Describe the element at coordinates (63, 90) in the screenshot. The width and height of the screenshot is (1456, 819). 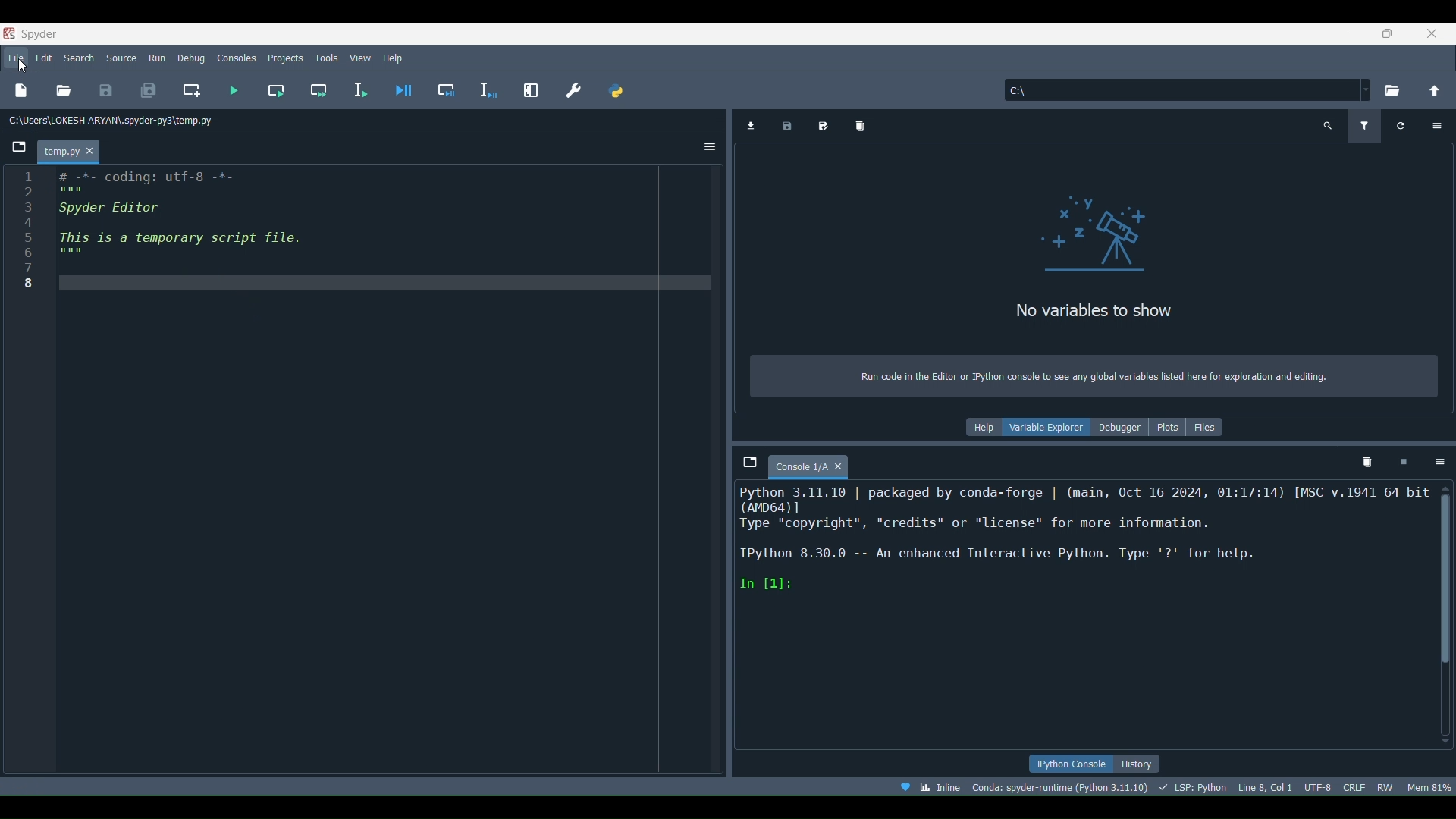
I see `Open file (Ctrl + O)` at that location.